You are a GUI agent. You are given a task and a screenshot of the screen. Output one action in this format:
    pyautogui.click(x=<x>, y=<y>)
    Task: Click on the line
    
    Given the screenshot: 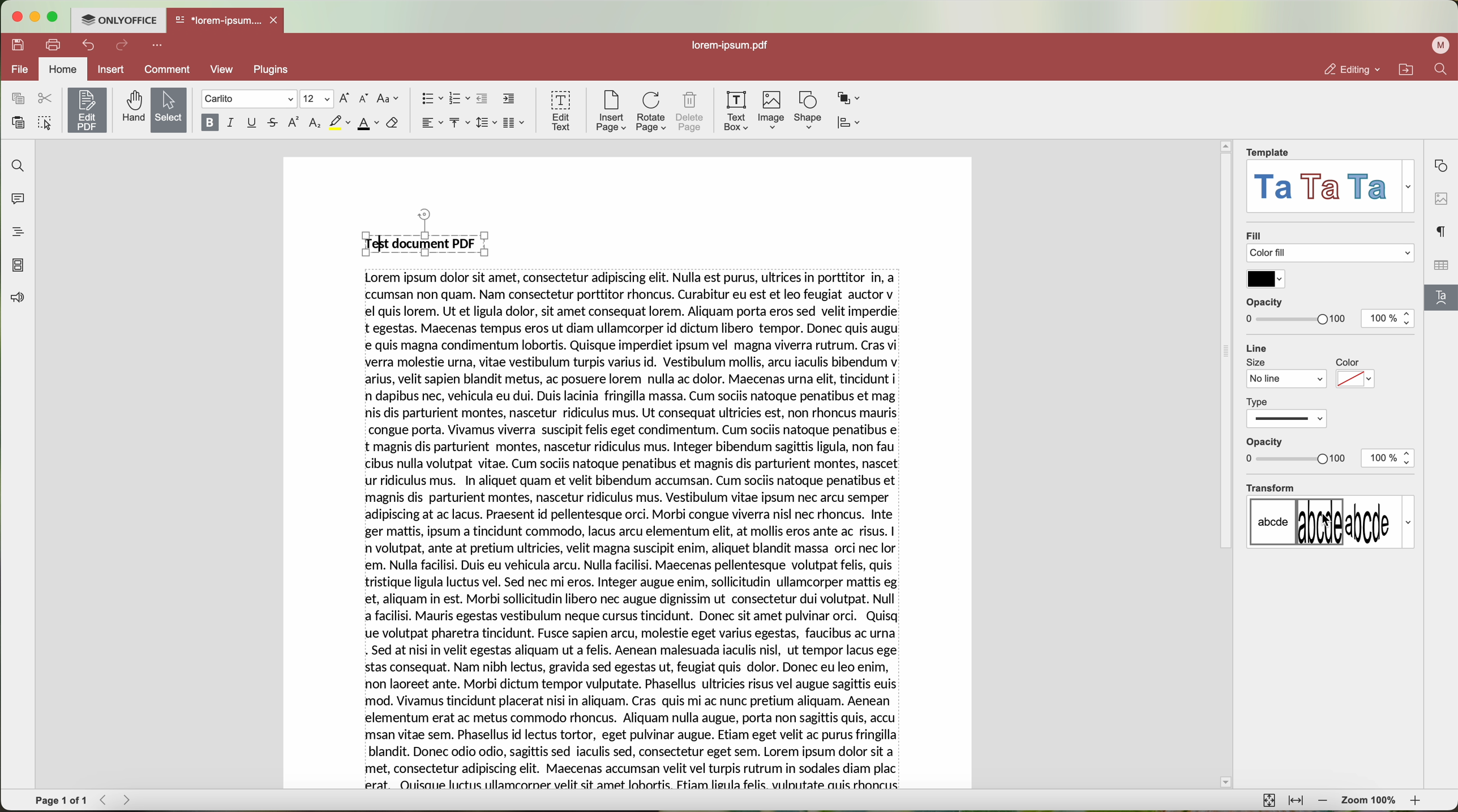 What is the action you would take?
    pyautogui.click(x=1258, y=346)
    